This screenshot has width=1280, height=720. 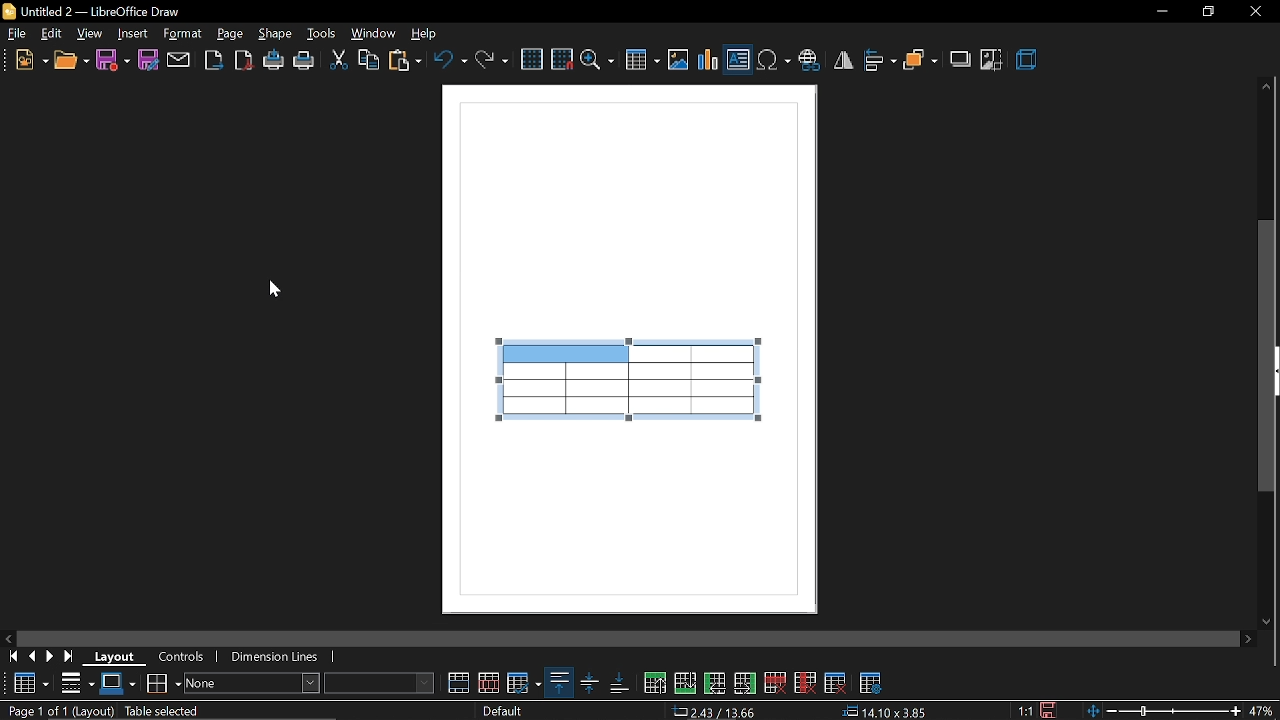 What do you see at coordinates (183, 33) in the screenshot?
I see `format` at bounding box center [183, 33].